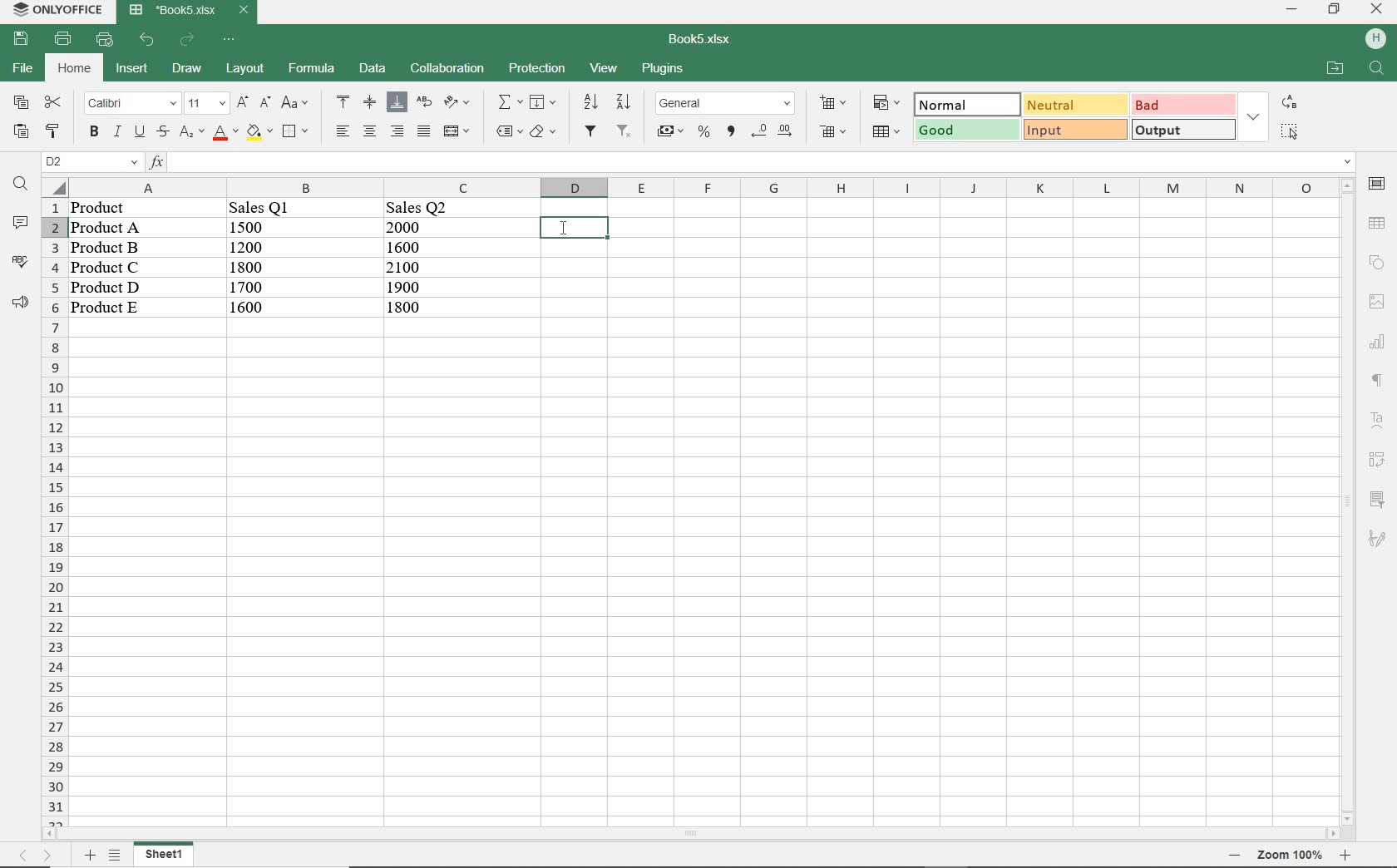 The image size is (1397, 868). Describe the element at coordinates (455, 103) in the screenshot. I see `orientation` at that location.